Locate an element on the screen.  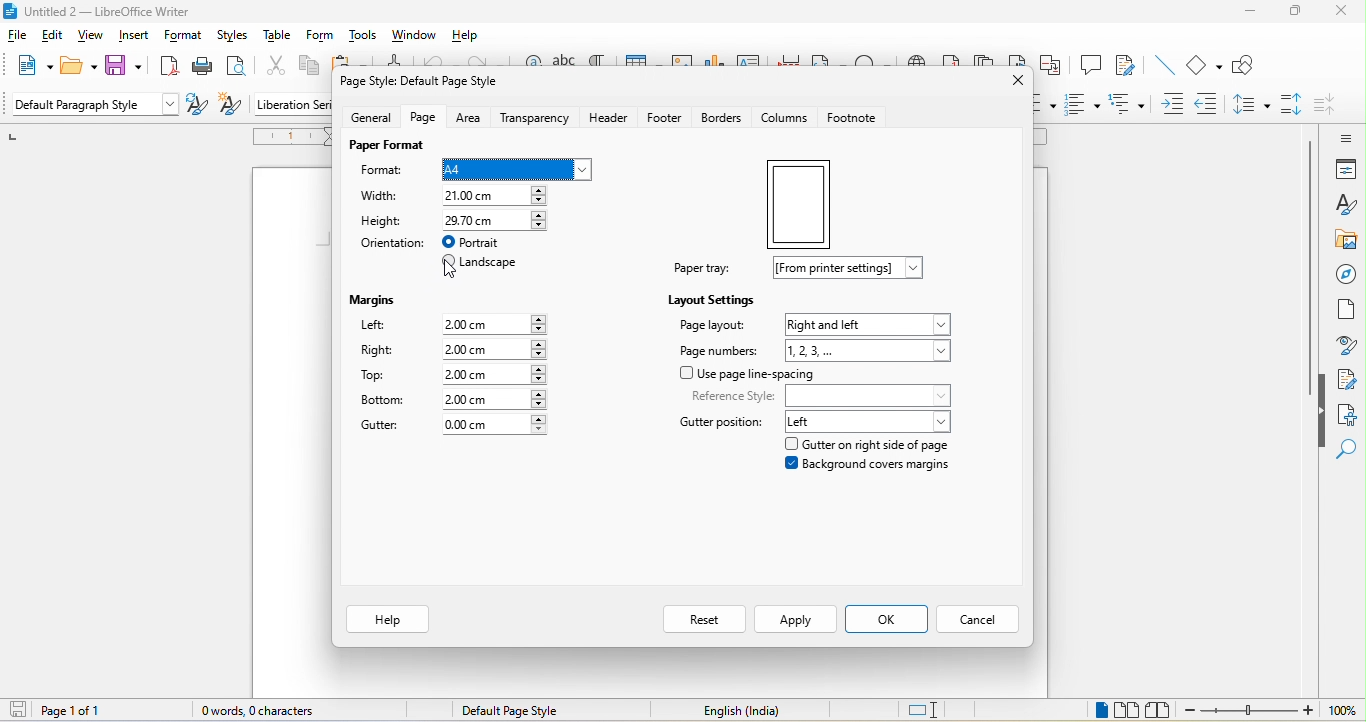
page is located at coordinates (418, 119).